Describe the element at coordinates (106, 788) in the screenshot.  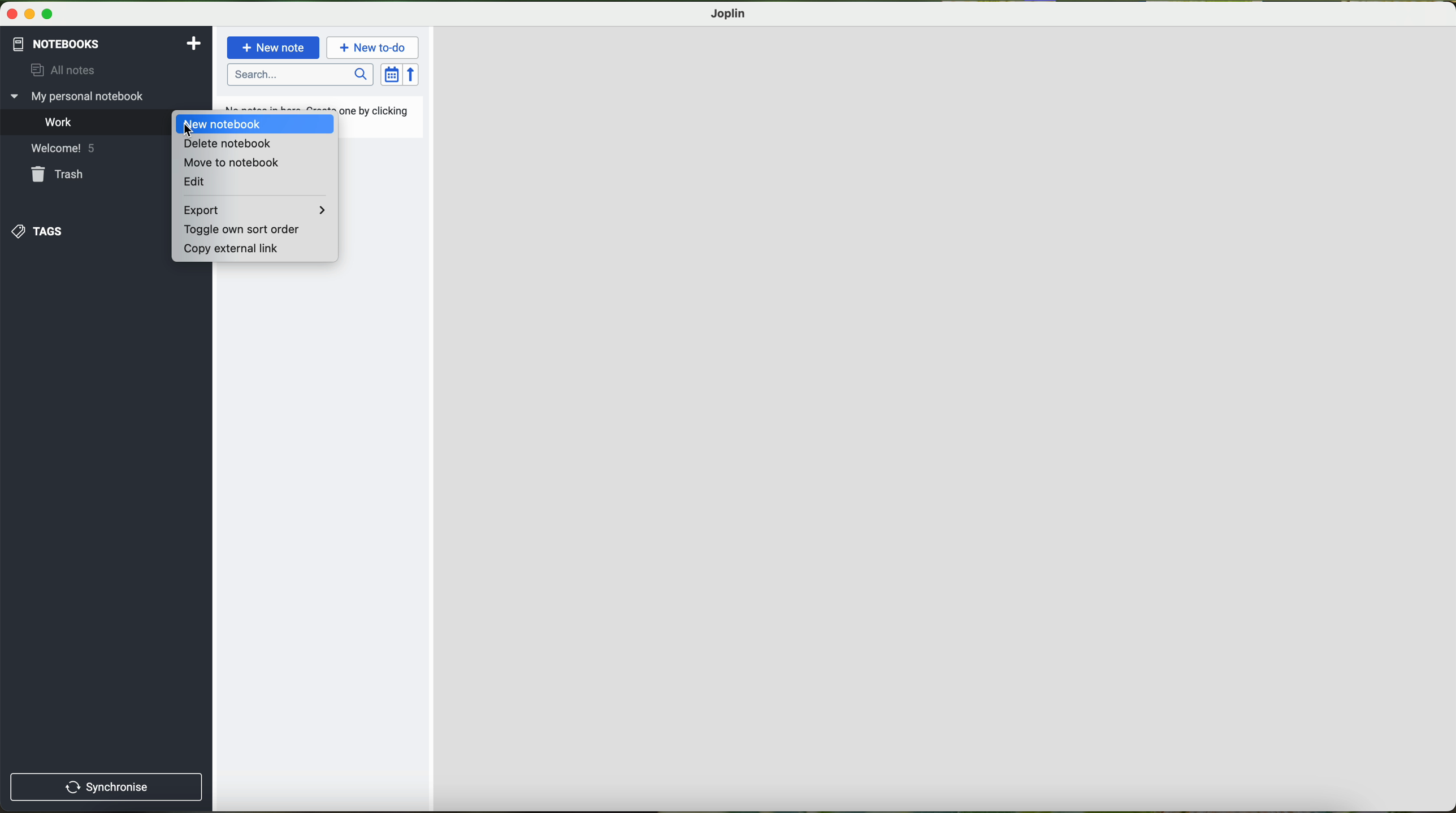
I see `synchronise button` at that location.